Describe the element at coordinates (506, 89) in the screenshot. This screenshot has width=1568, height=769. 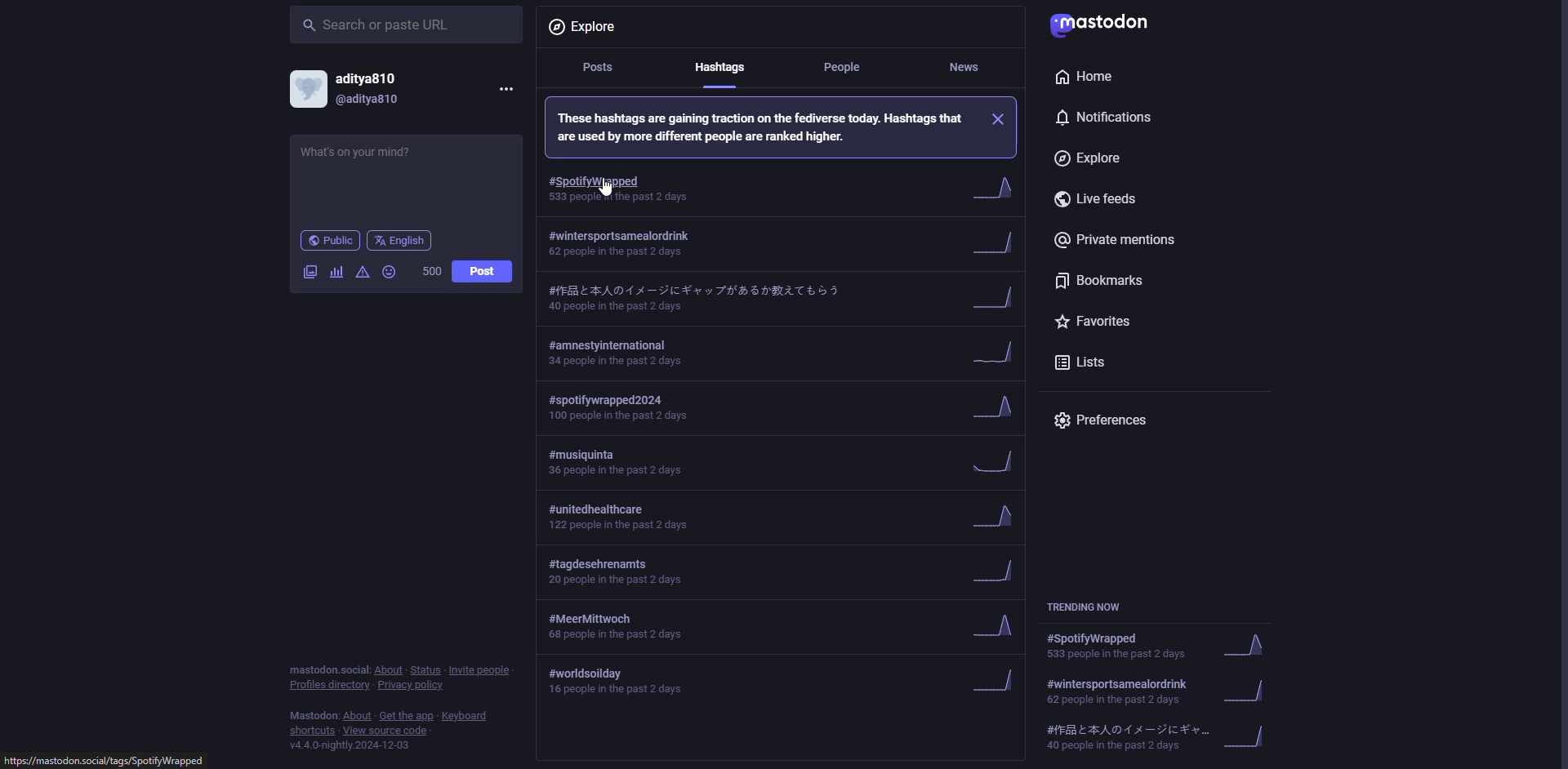
I see `more` at that location.